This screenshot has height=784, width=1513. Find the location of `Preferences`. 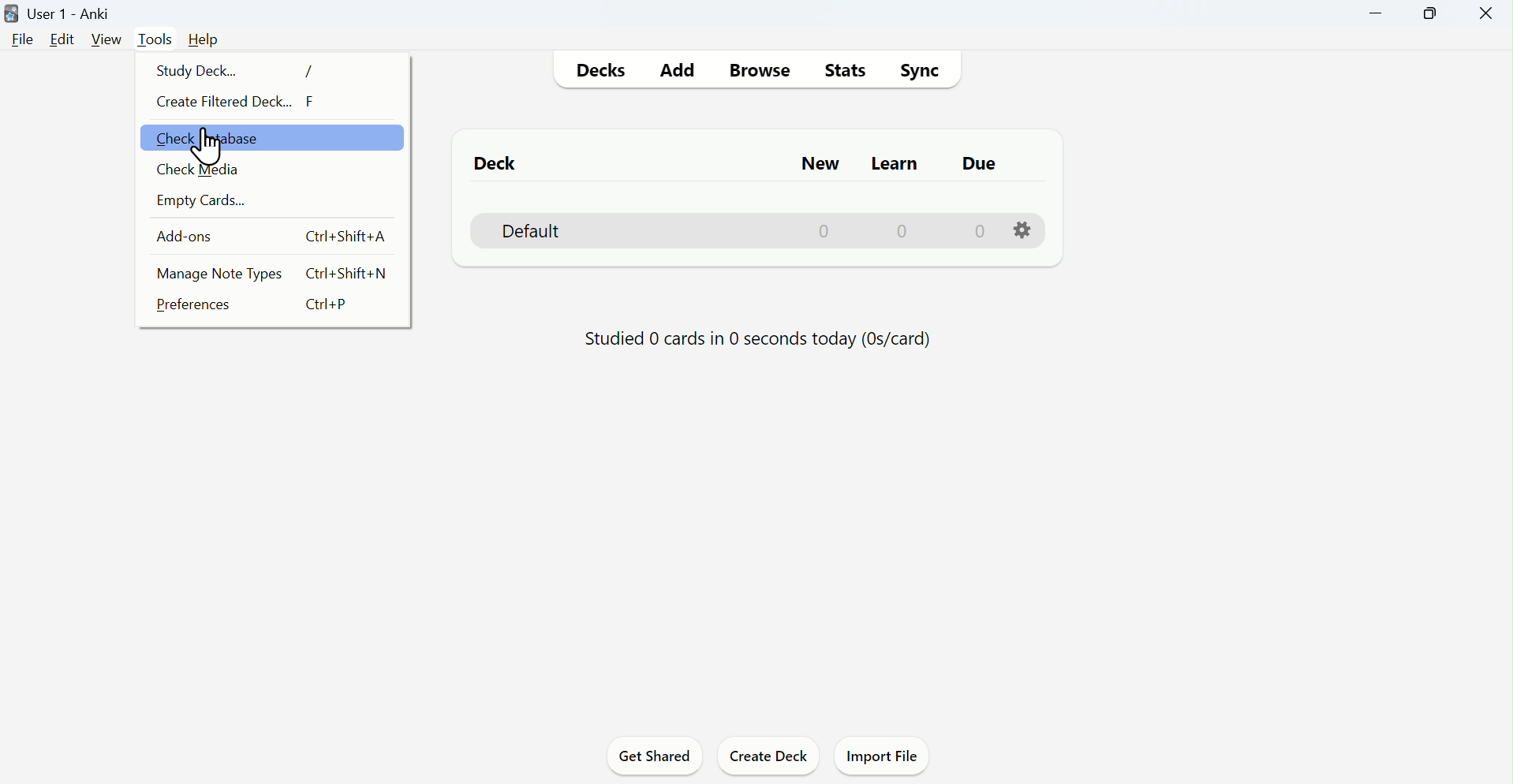

Preferences is located at coordinates (260, 304).